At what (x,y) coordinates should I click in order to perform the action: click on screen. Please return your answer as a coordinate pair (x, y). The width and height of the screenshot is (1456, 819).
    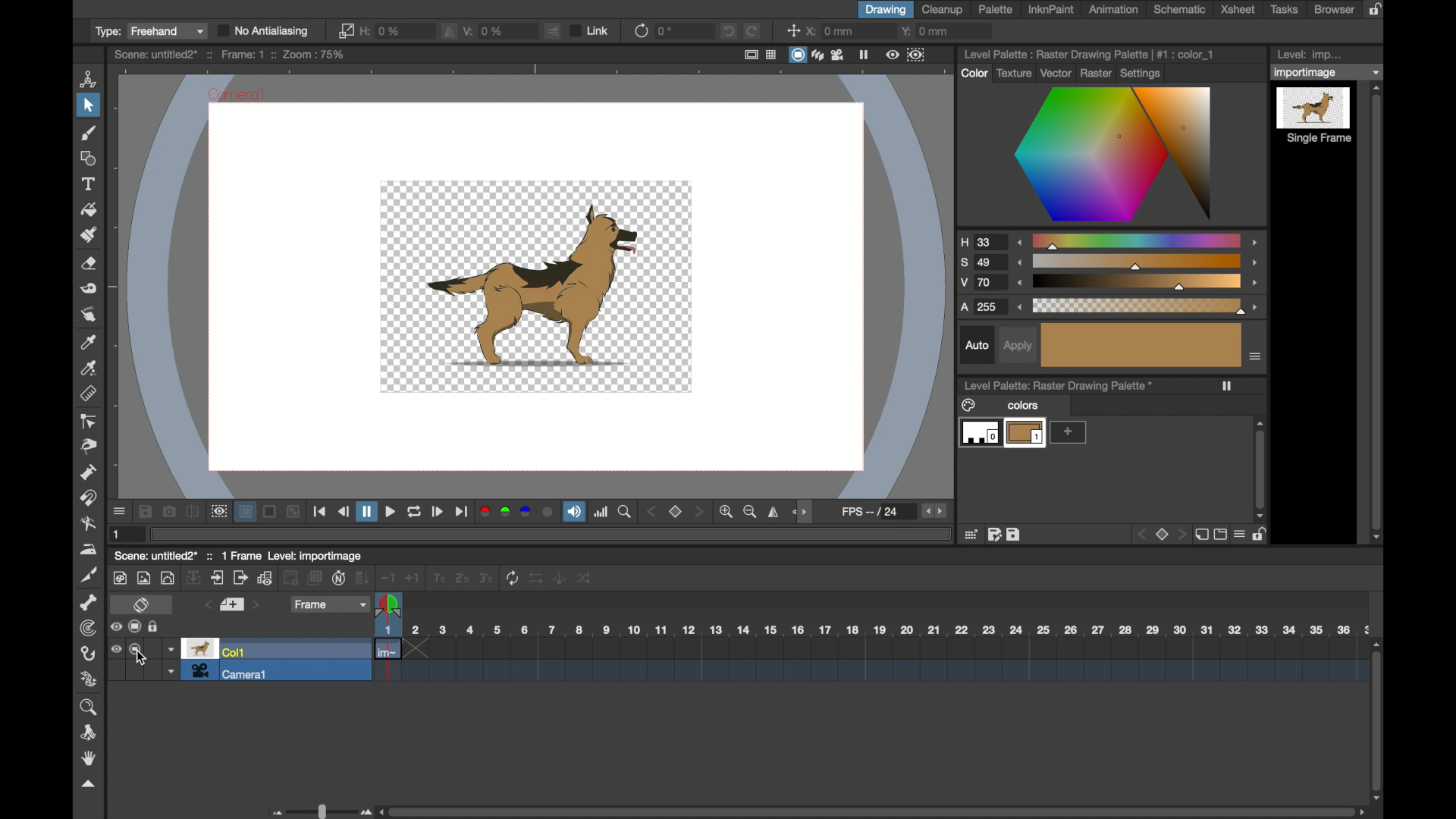
    Looking at the image, I should click on (136, 626).